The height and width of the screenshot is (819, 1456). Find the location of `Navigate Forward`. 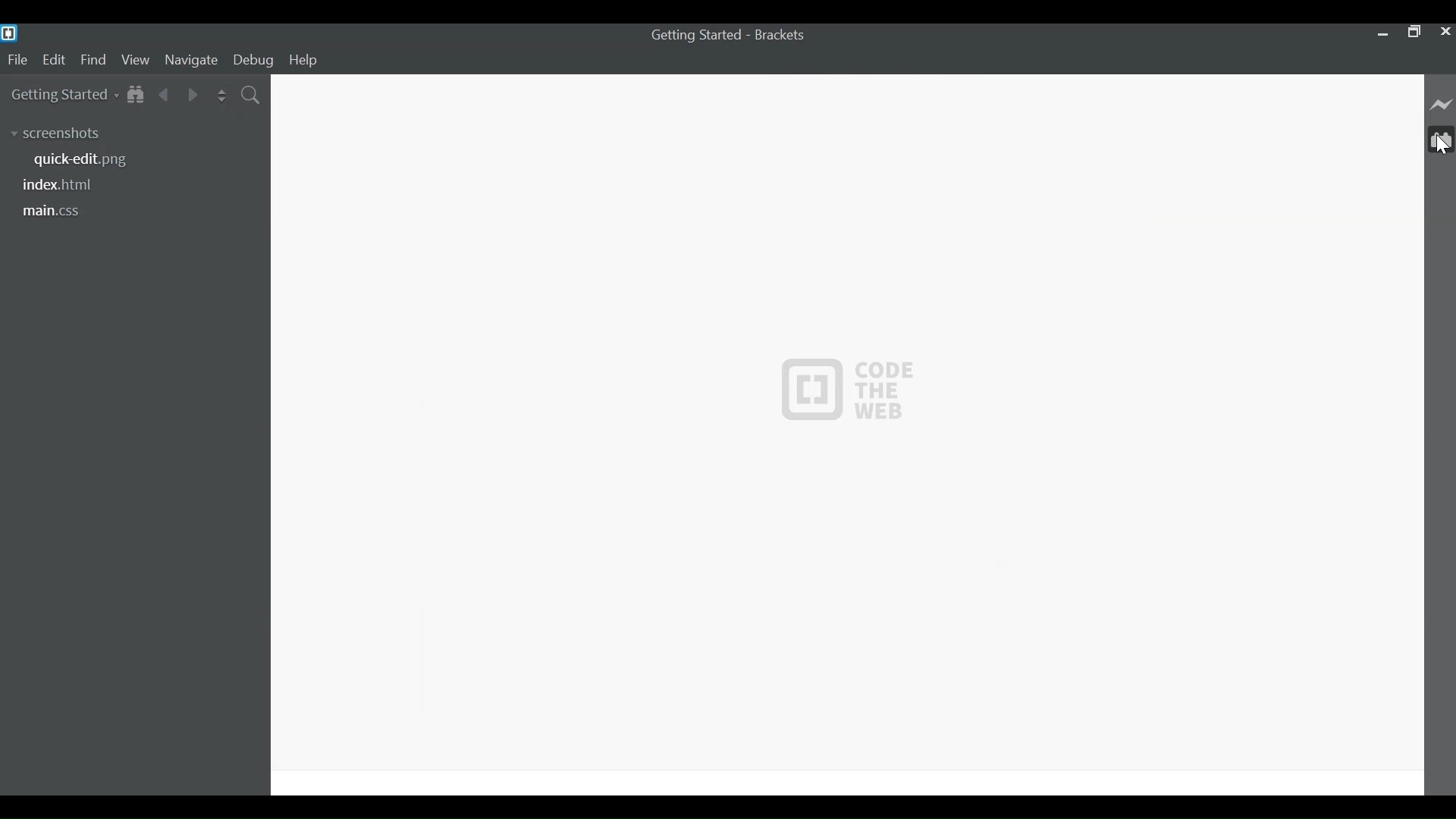

Navigate Forward is located at coordinates (193, 96).